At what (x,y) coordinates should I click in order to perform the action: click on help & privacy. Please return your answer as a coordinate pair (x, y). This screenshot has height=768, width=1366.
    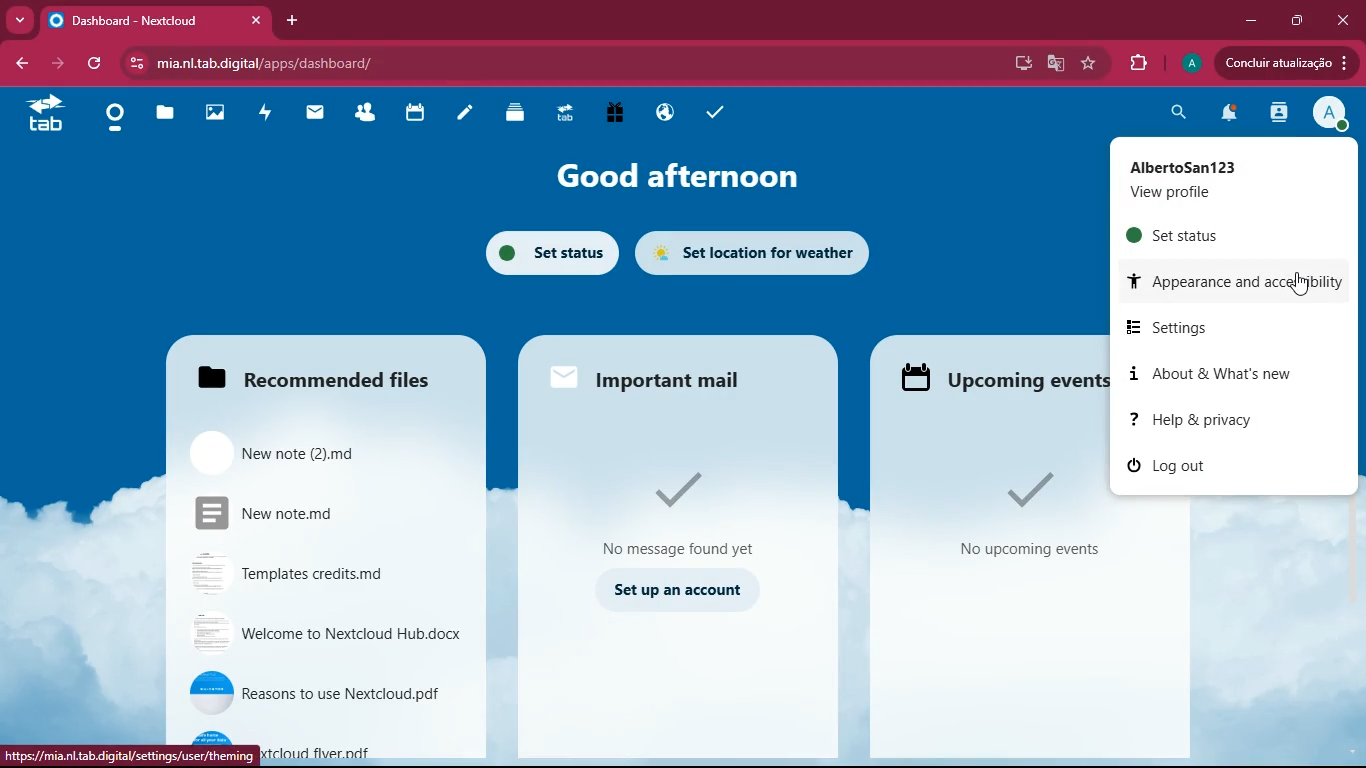
    Looking at the image, I should click on (1205, 417).